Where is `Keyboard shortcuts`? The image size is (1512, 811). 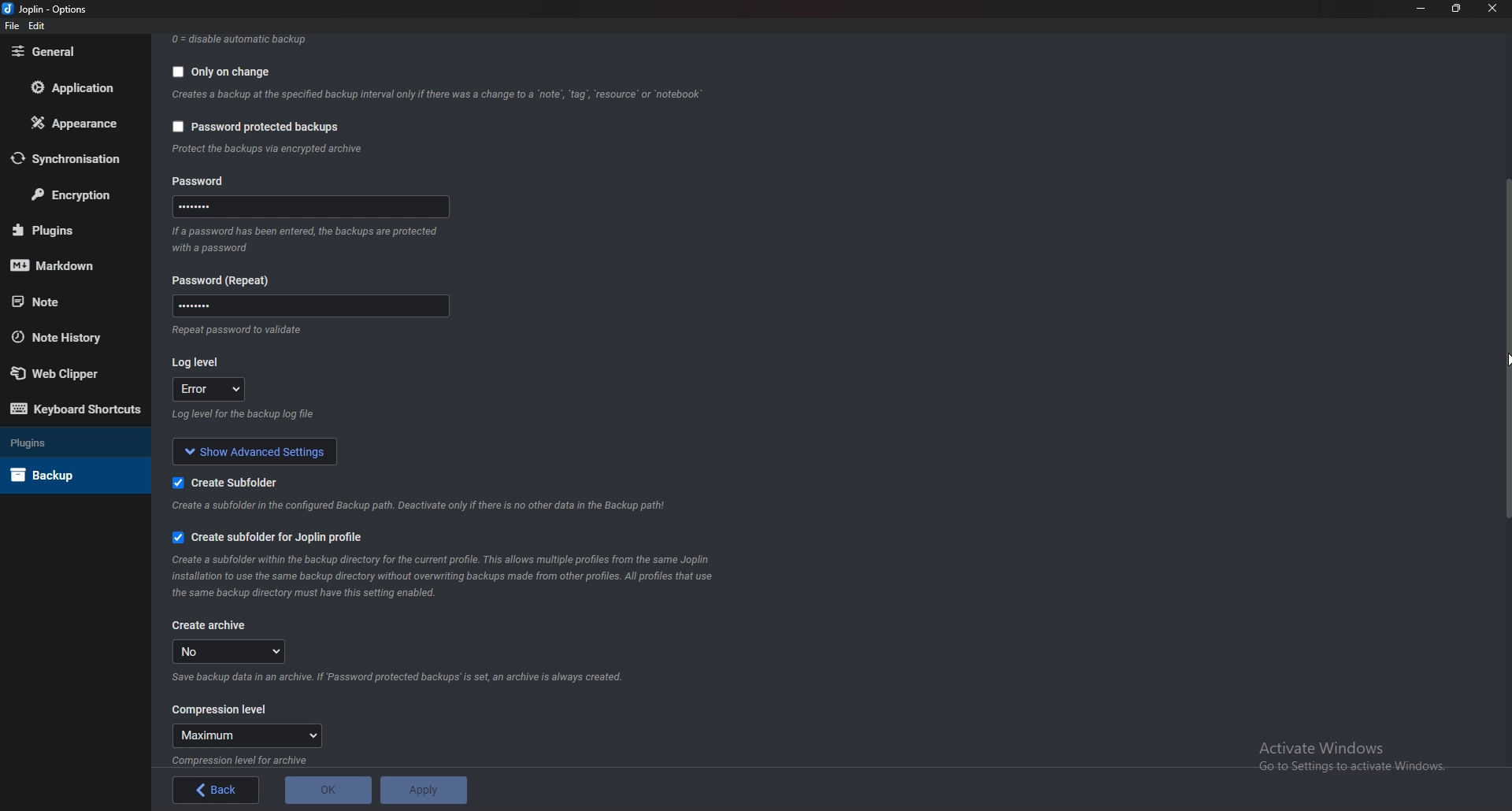 Keyboard shortcuts is located at coordinates (76, 411).